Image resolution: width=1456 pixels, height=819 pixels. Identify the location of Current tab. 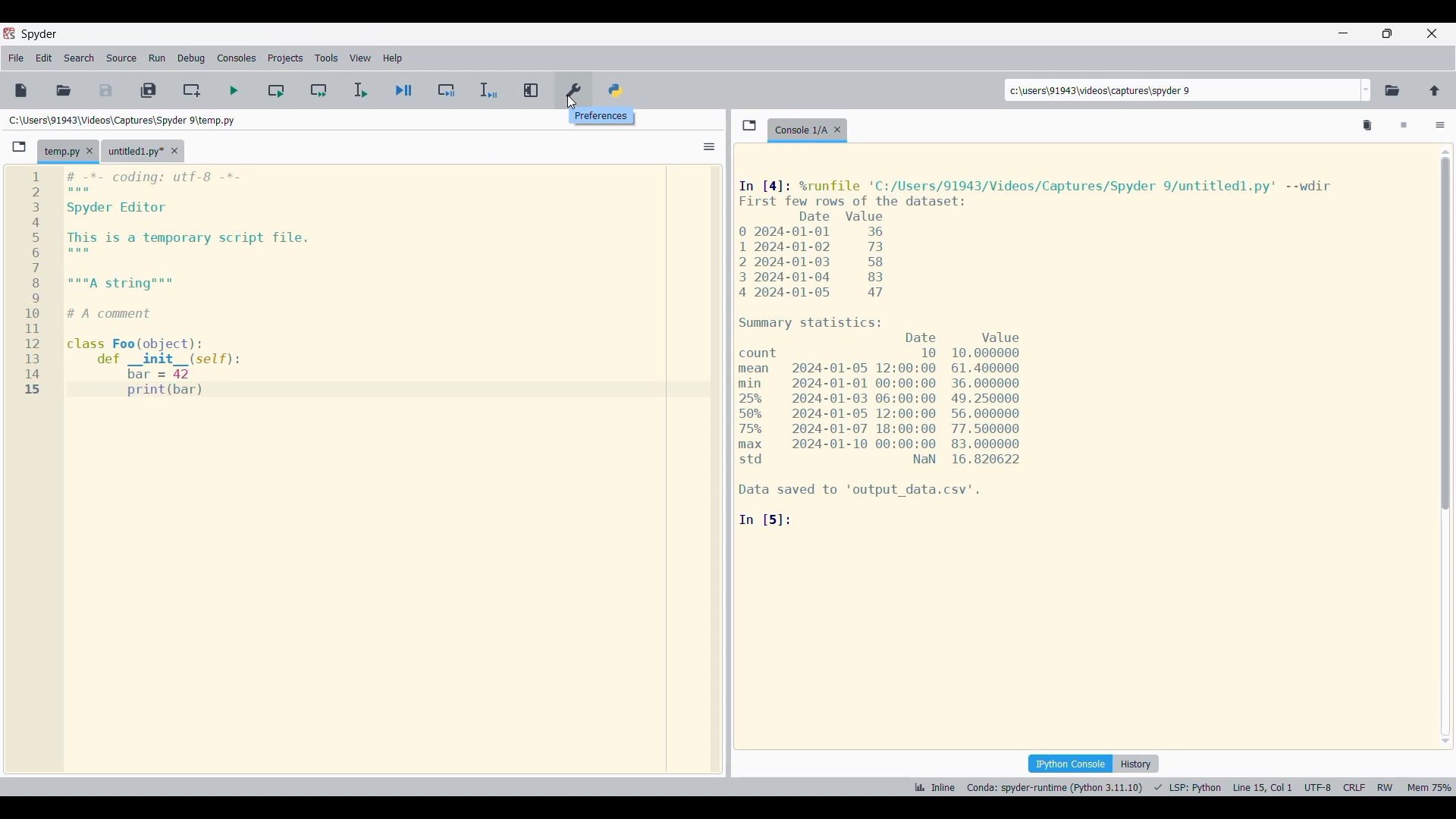
(61, 152).